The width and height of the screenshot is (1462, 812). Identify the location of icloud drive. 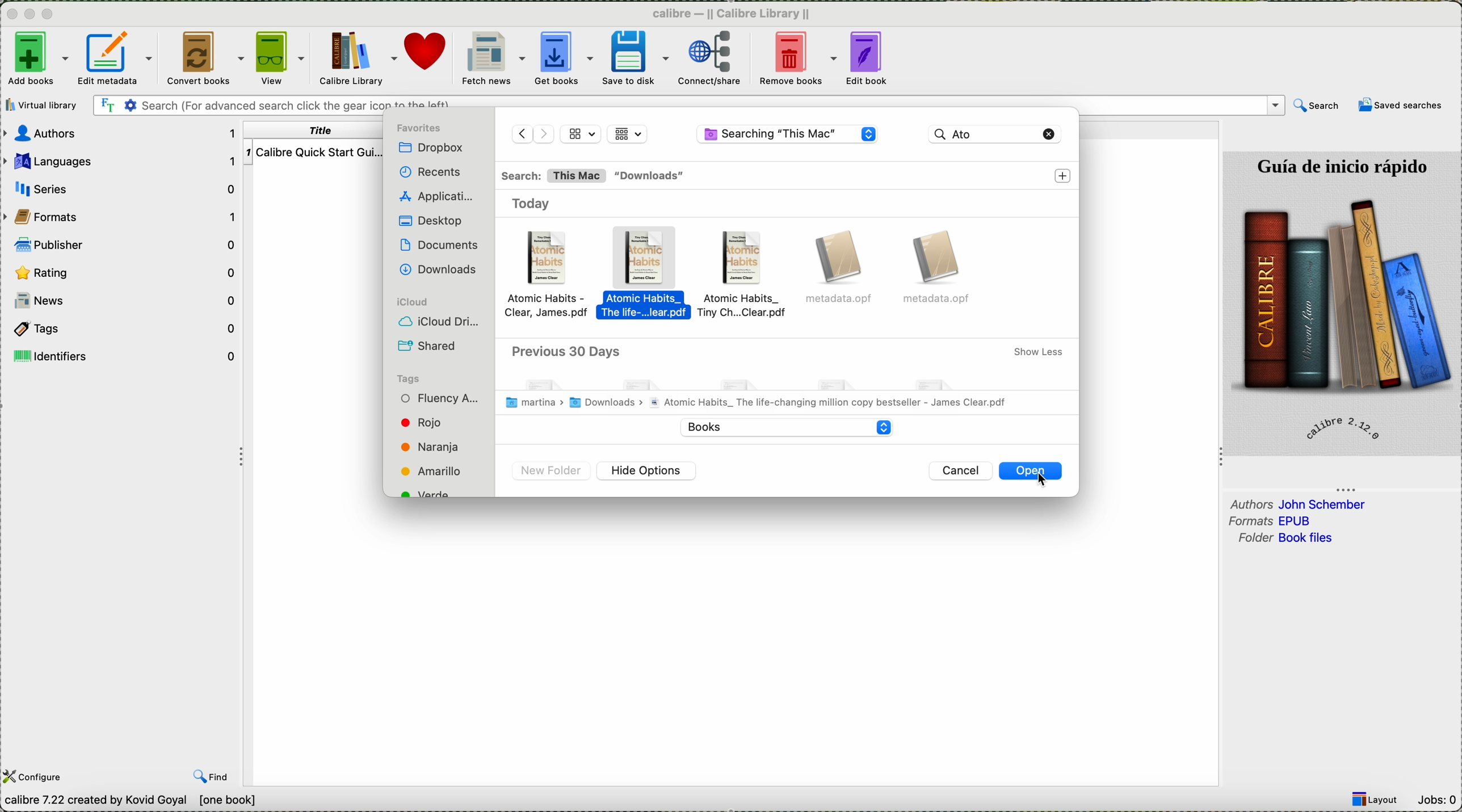
(441, 321).